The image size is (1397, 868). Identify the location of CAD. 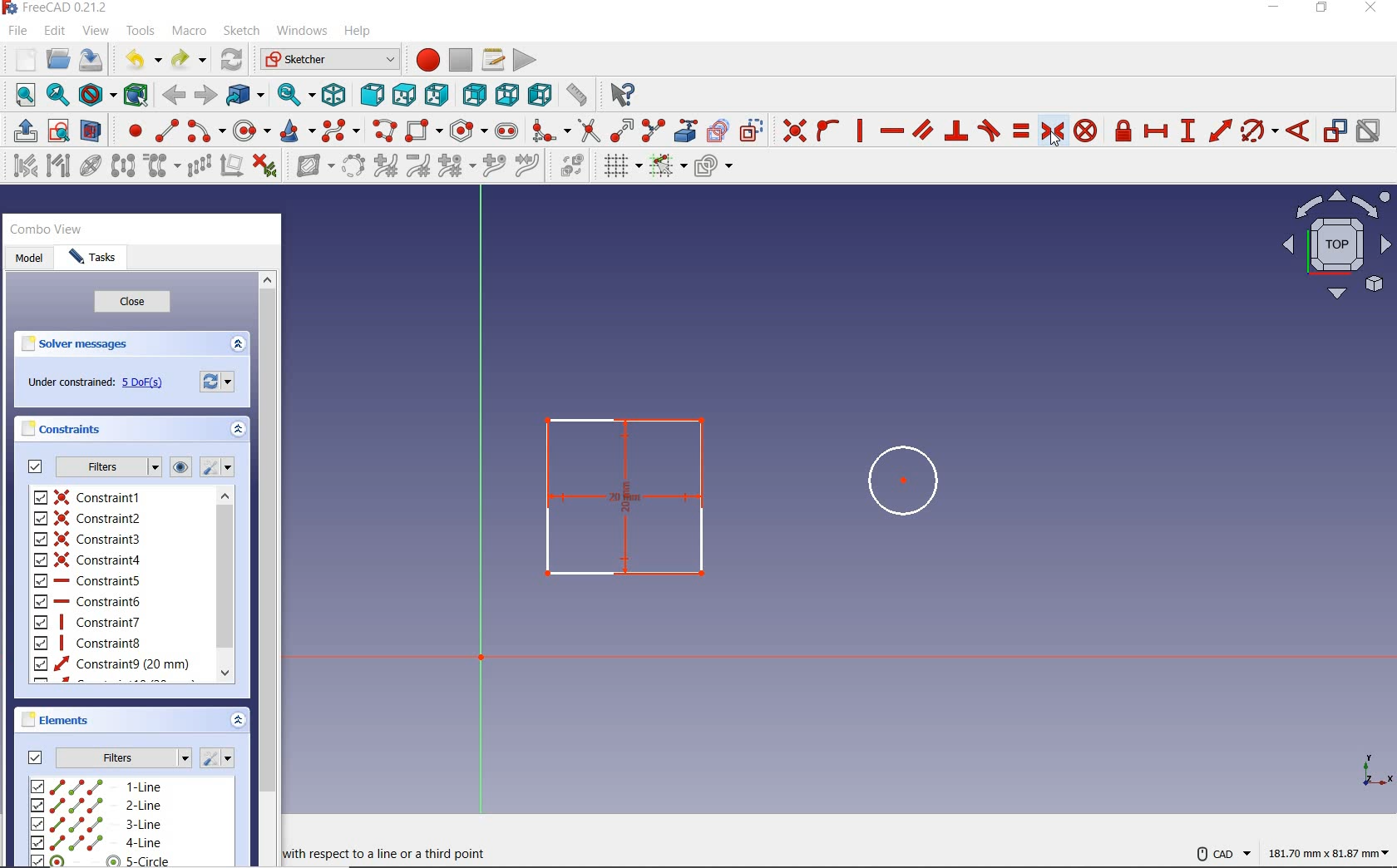
(1219, 853).